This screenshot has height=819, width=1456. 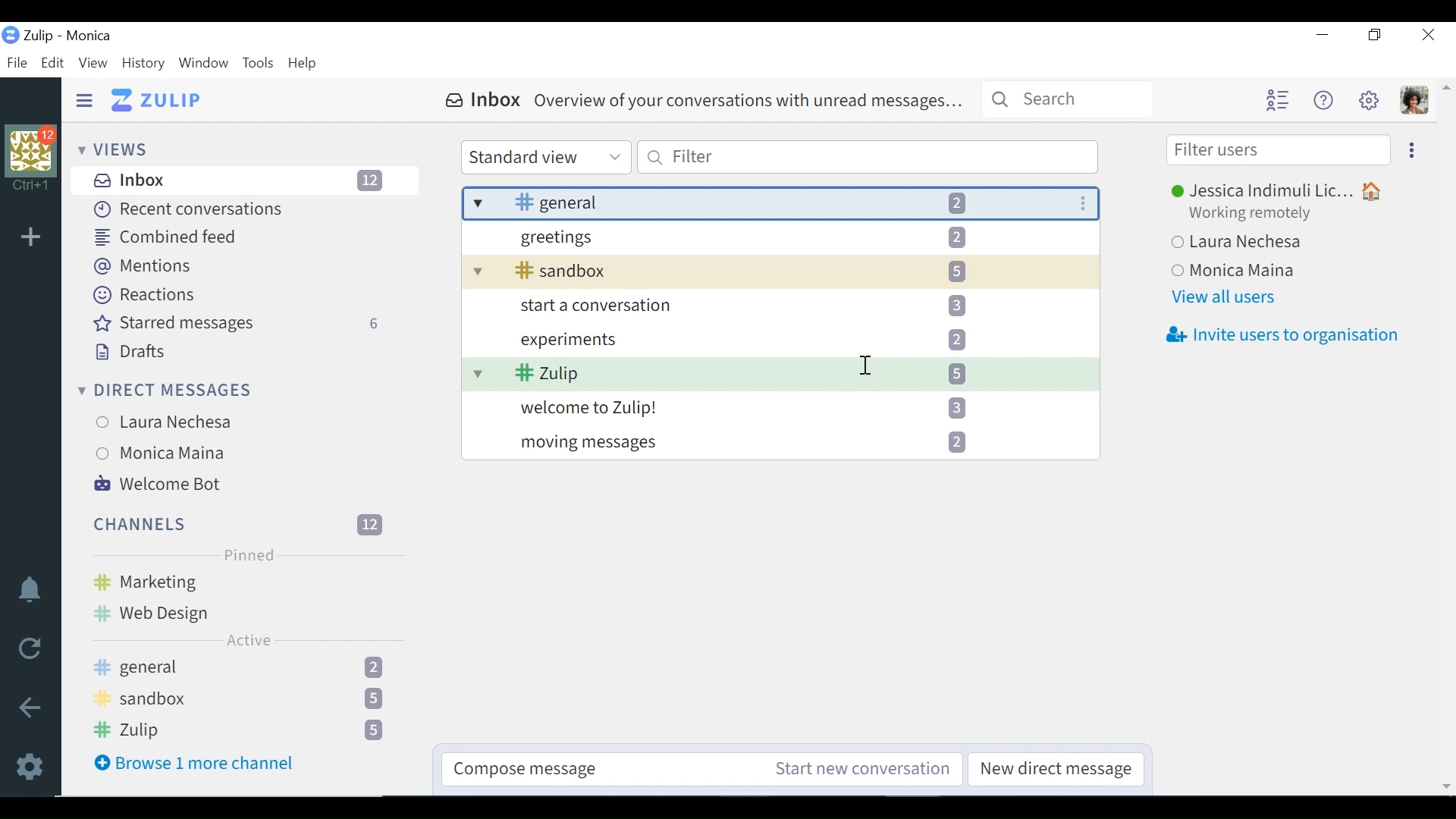 I want to click on greetings, so click(x=756, y=237).